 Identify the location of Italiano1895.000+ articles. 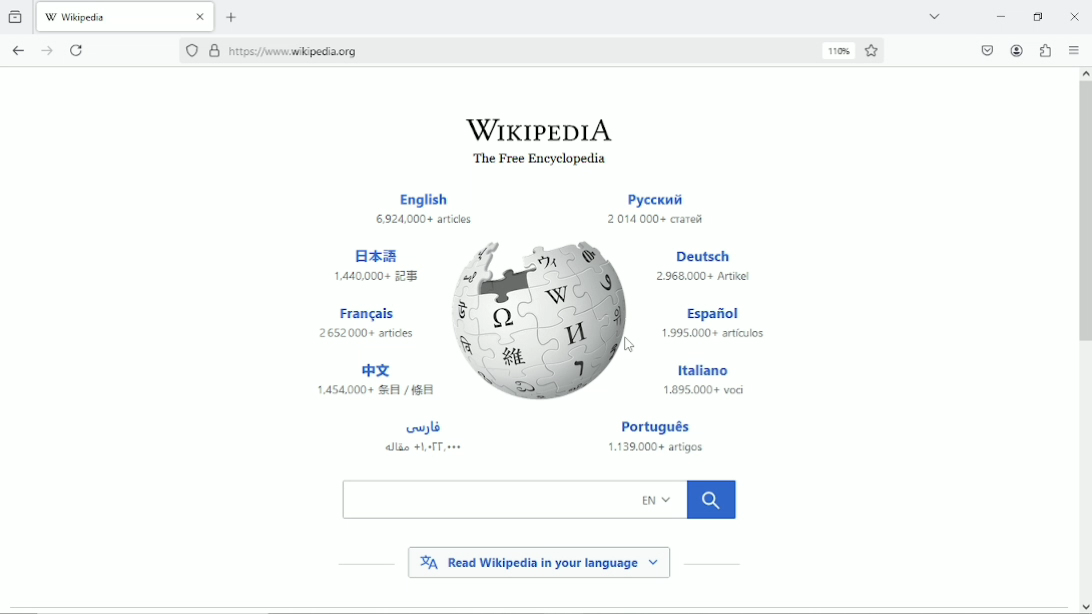
(704, 377).